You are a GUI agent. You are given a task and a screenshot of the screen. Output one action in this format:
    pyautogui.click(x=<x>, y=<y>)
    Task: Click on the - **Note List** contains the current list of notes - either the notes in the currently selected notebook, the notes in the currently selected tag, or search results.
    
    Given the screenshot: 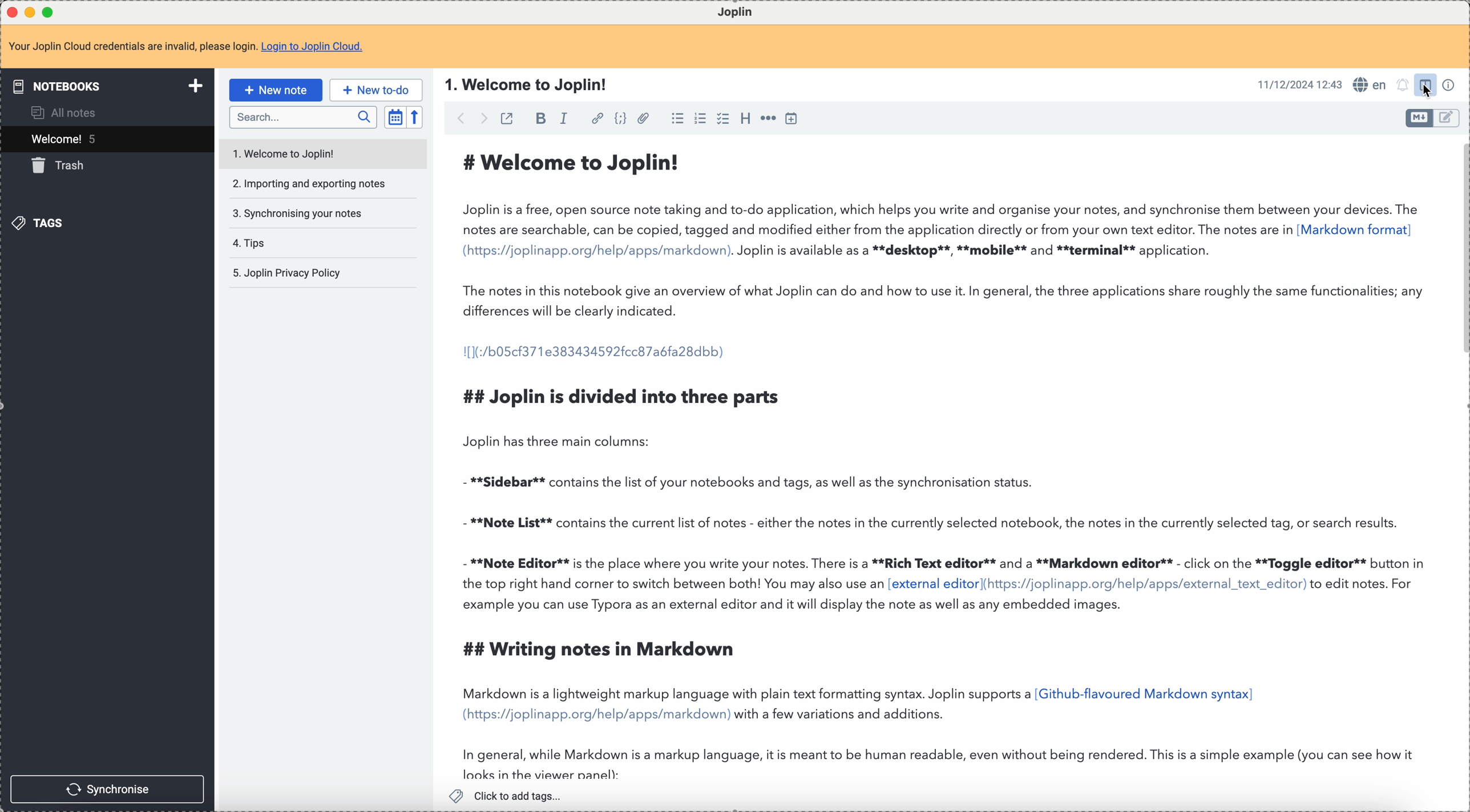 What is the action you would take?
    pyautogui.click(x=932, y=524)
    